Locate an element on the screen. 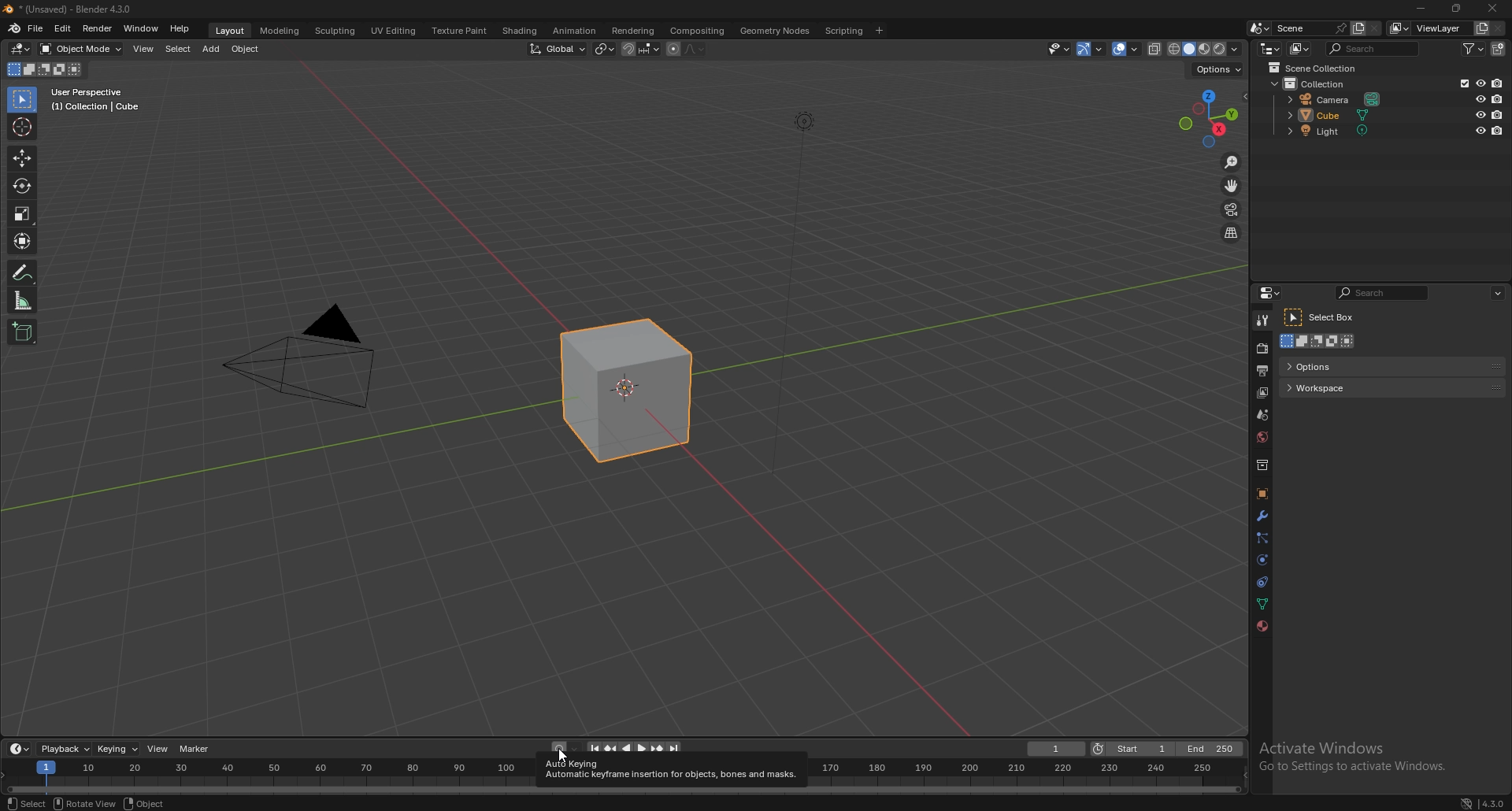 The height and width of the screenshot is (811, 1512). geometry nodes is located at coordinates (776, 31).